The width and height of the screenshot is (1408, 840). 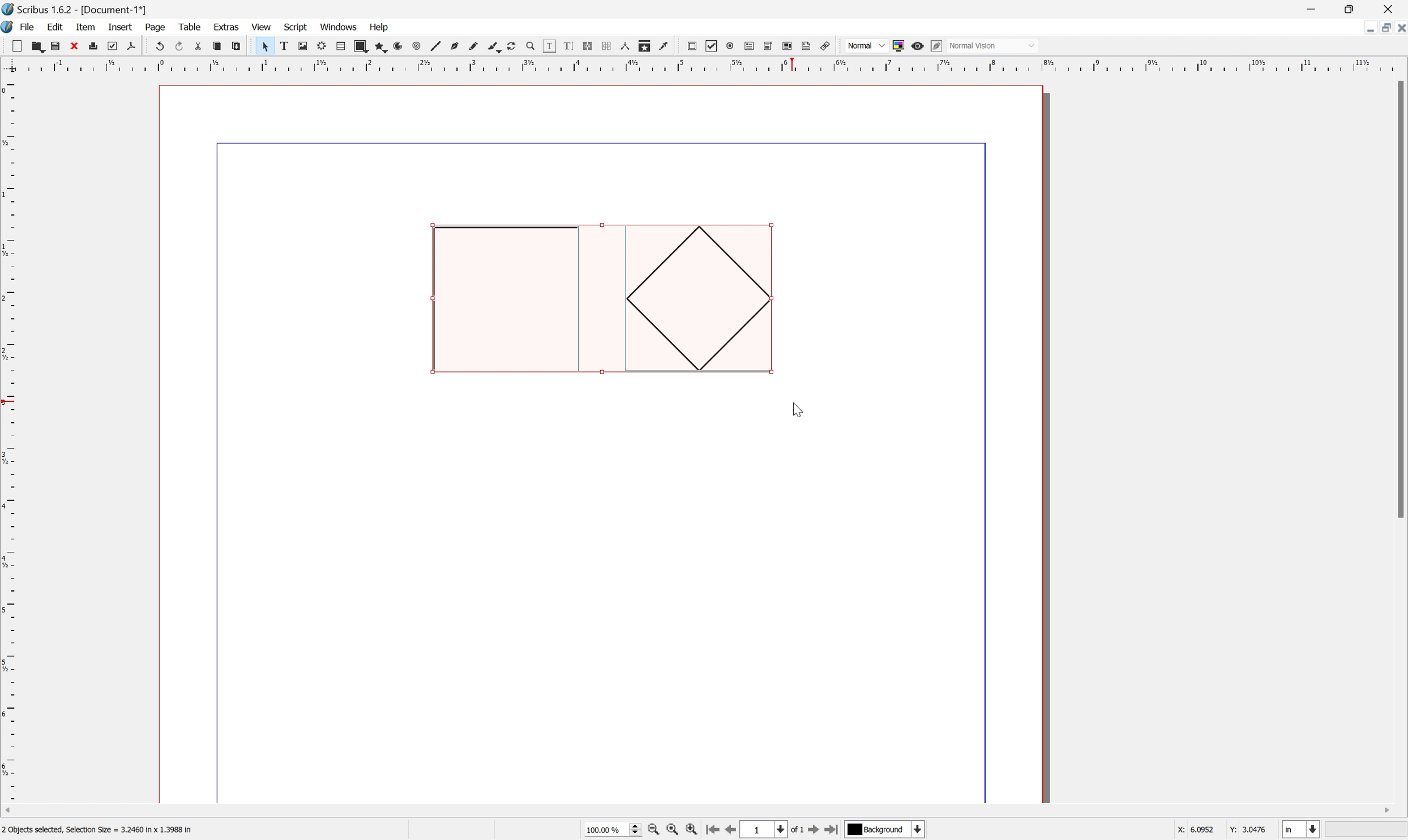 What do you see at coordinates (12, 46) in the screenshot?
I see `new` at bounding box center [12, 46].